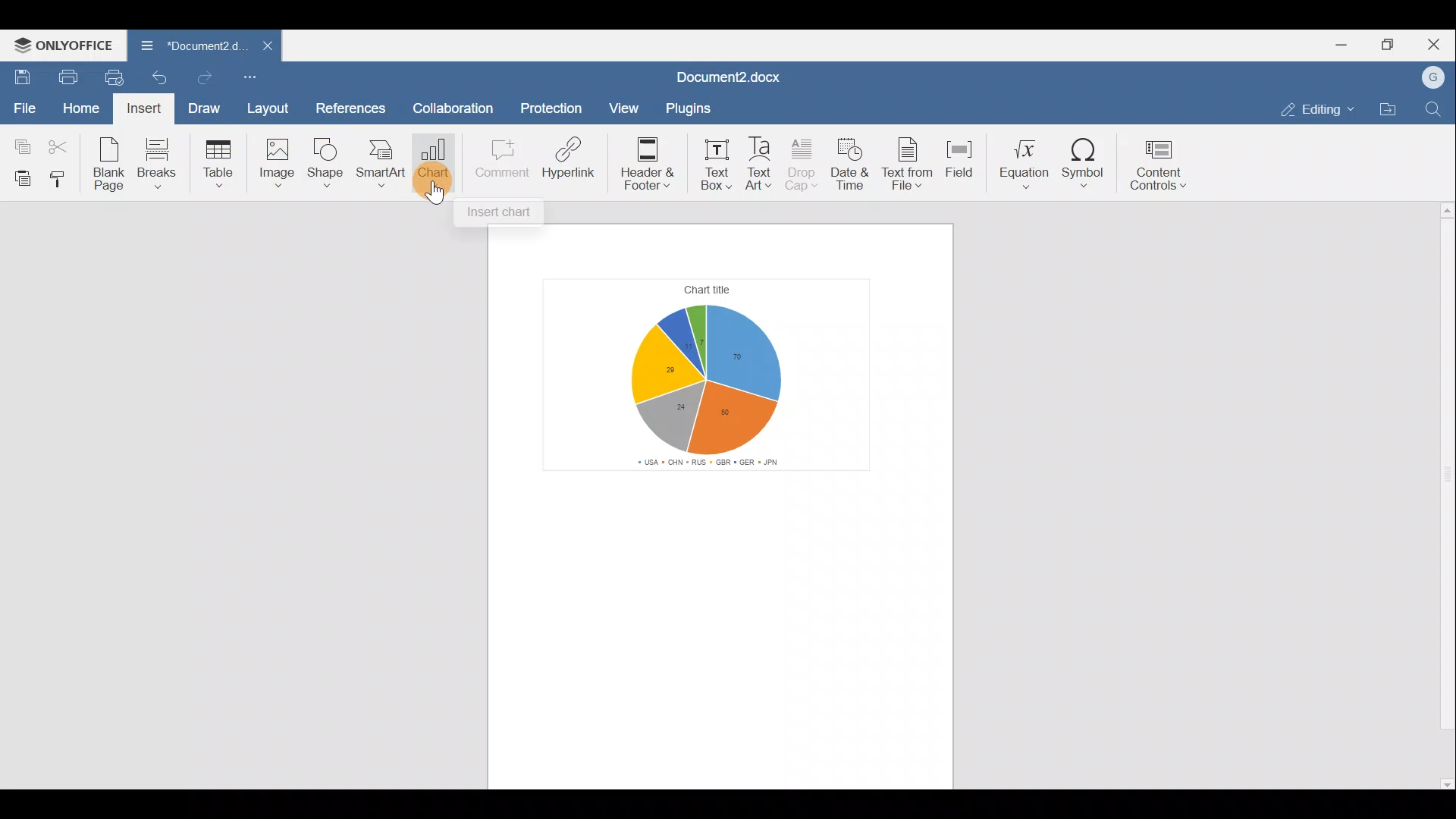 The height and width of the screenshot is (819, 1456). What do you see at coordinates (1388, 108) in the screenshot?
I see `Open file location` at bounding box center [1388, 108].